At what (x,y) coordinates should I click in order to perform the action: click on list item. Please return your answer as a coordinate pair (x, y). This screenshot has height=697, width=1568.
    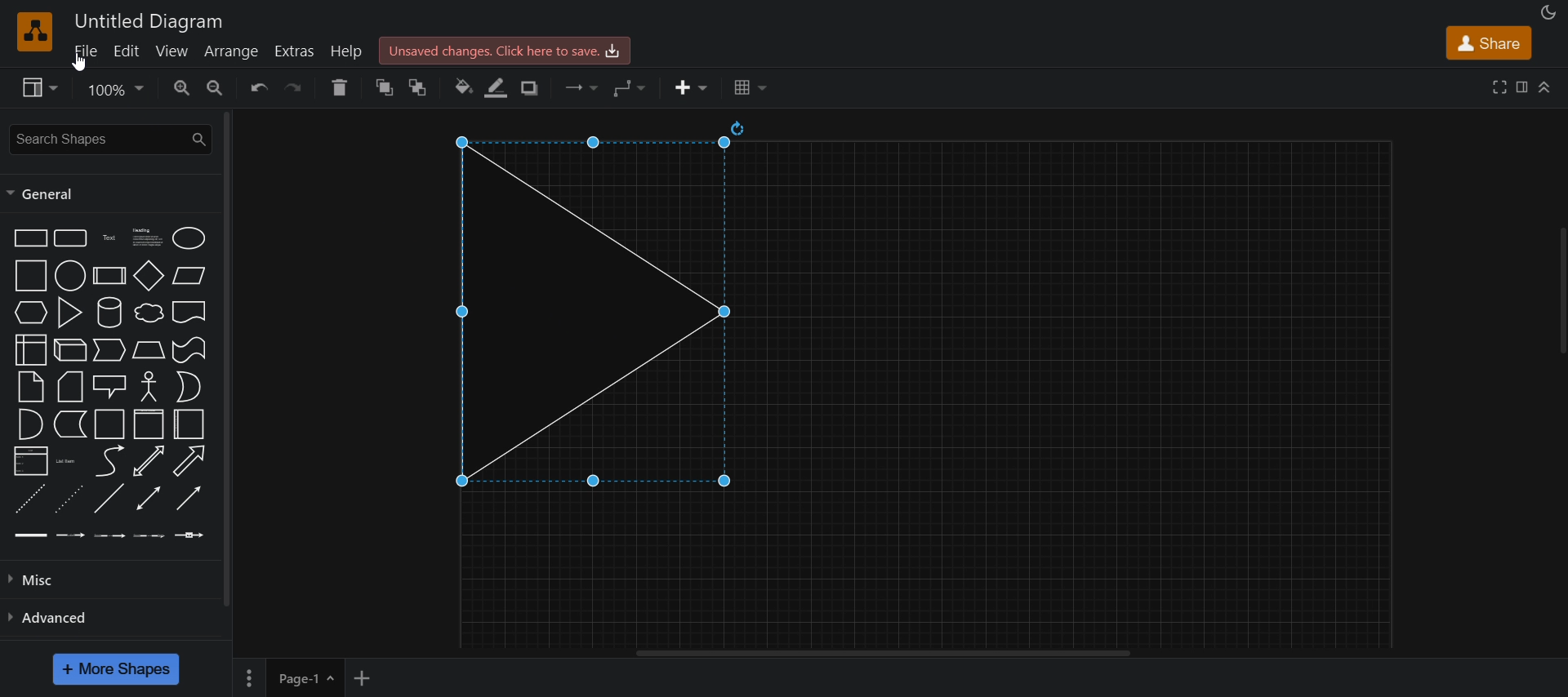
    Looking at the image, I should click on (66, 461).